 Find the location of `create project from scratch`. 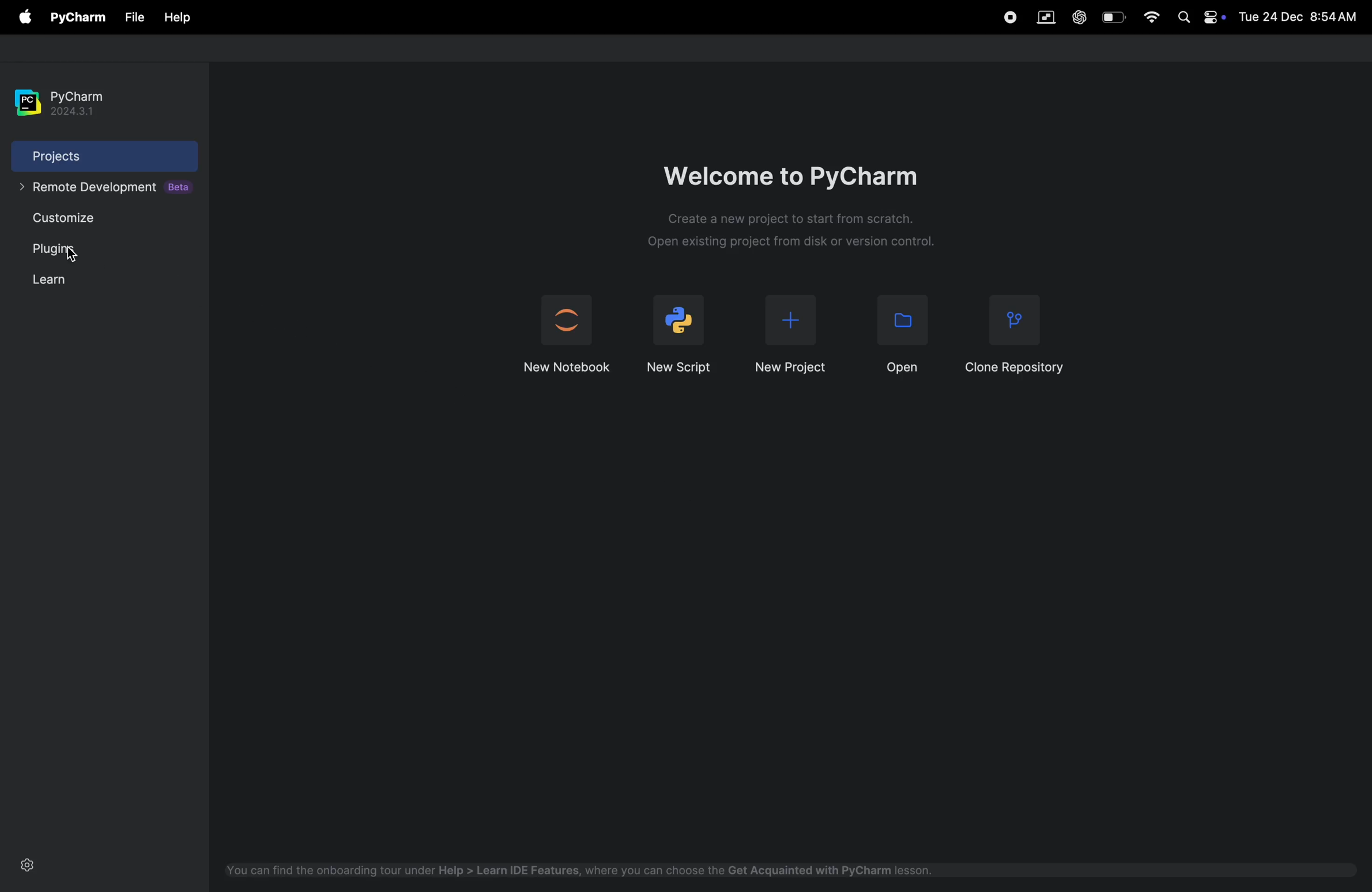

create project from scratch is located at coordinates (795, 232).